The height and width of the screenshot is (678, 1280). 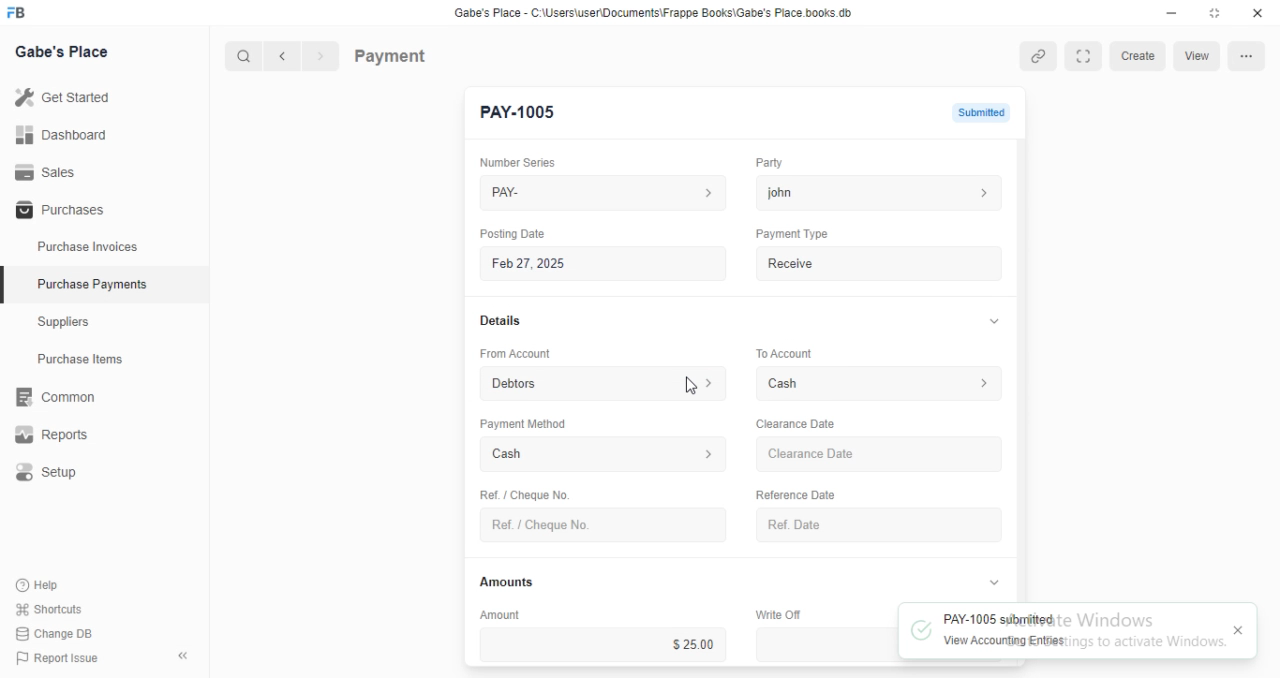 What do you see at coordinates (514, 353) in the screenshot?
I see `‘From Account` at bounding box center [514, 353].